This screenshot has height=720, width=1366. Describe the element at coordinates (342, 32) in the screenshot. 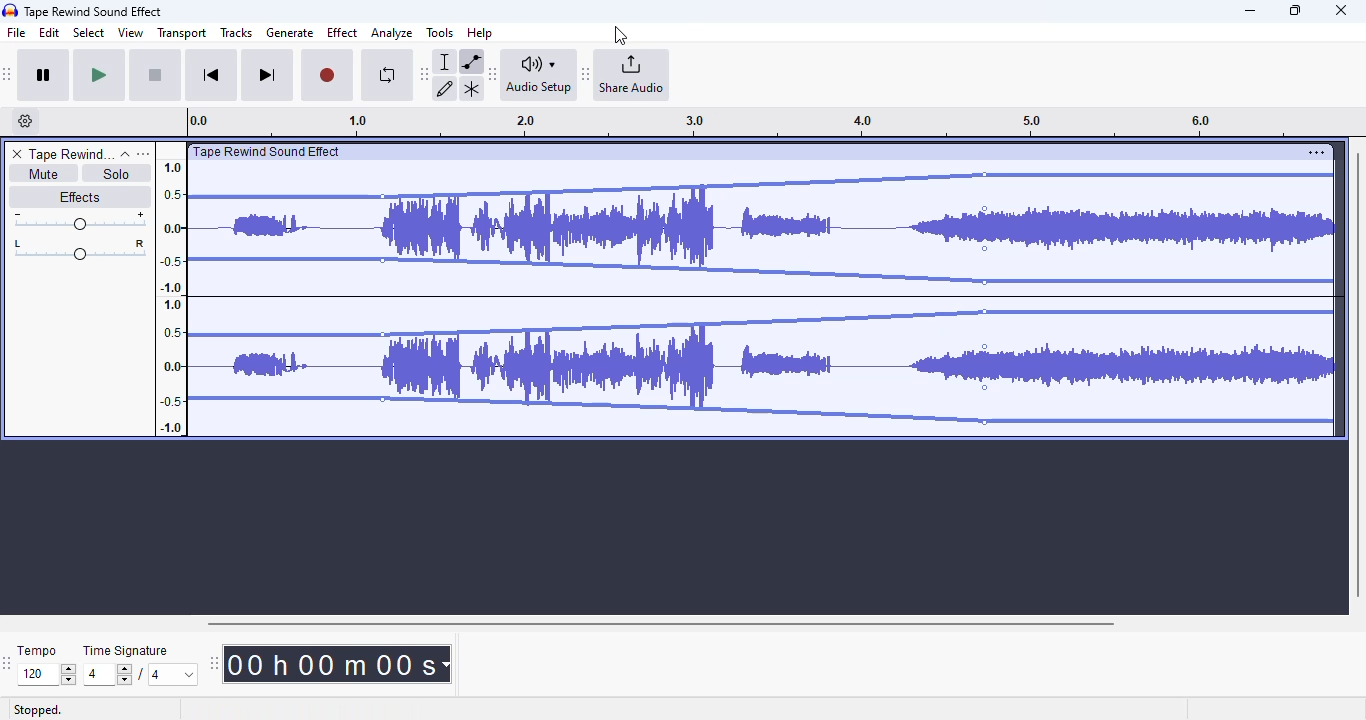

I see `effect` at that location.